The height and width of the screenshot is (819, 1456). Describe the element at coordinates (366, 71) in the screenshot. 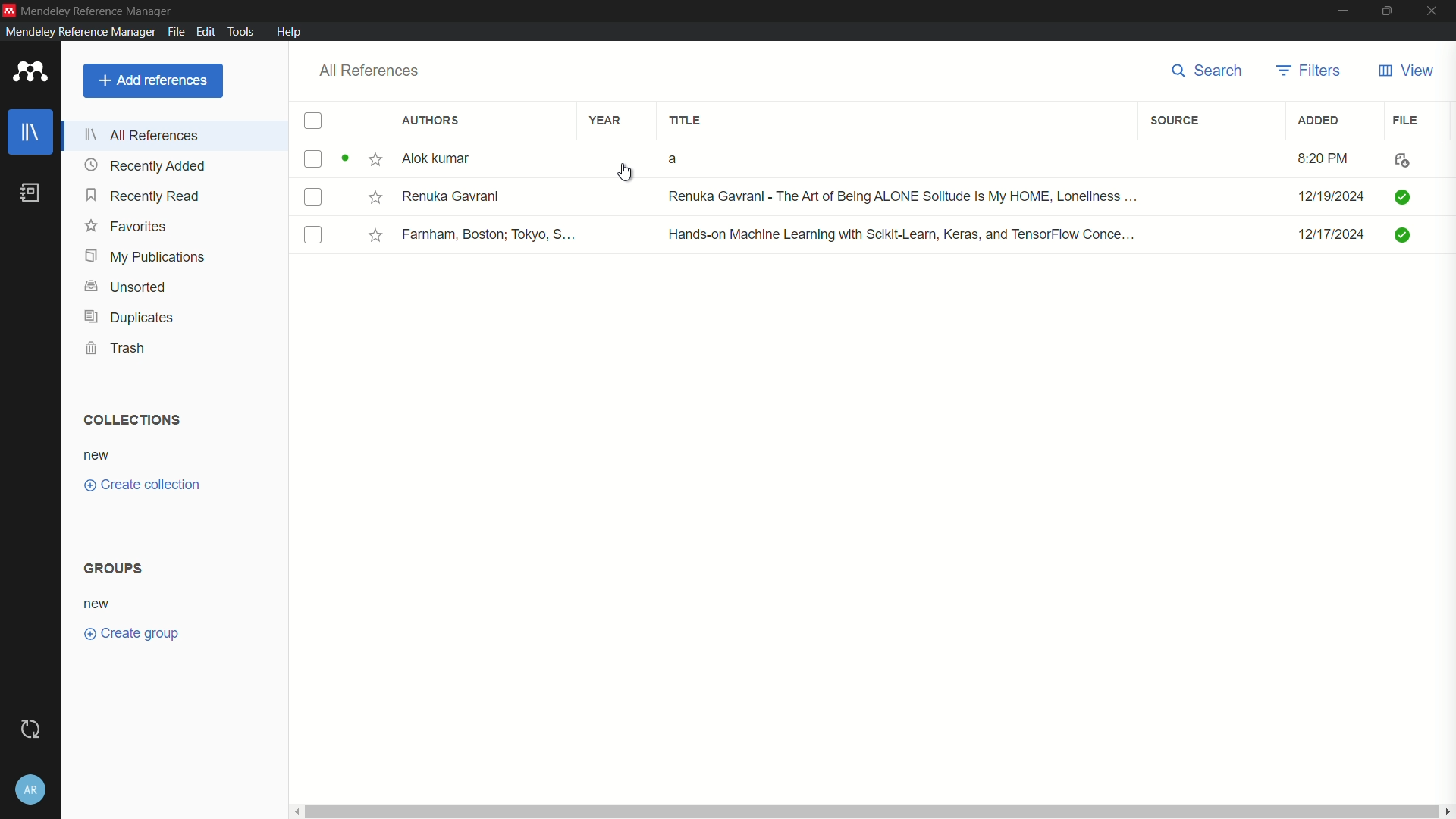

I see `all references` at that location.